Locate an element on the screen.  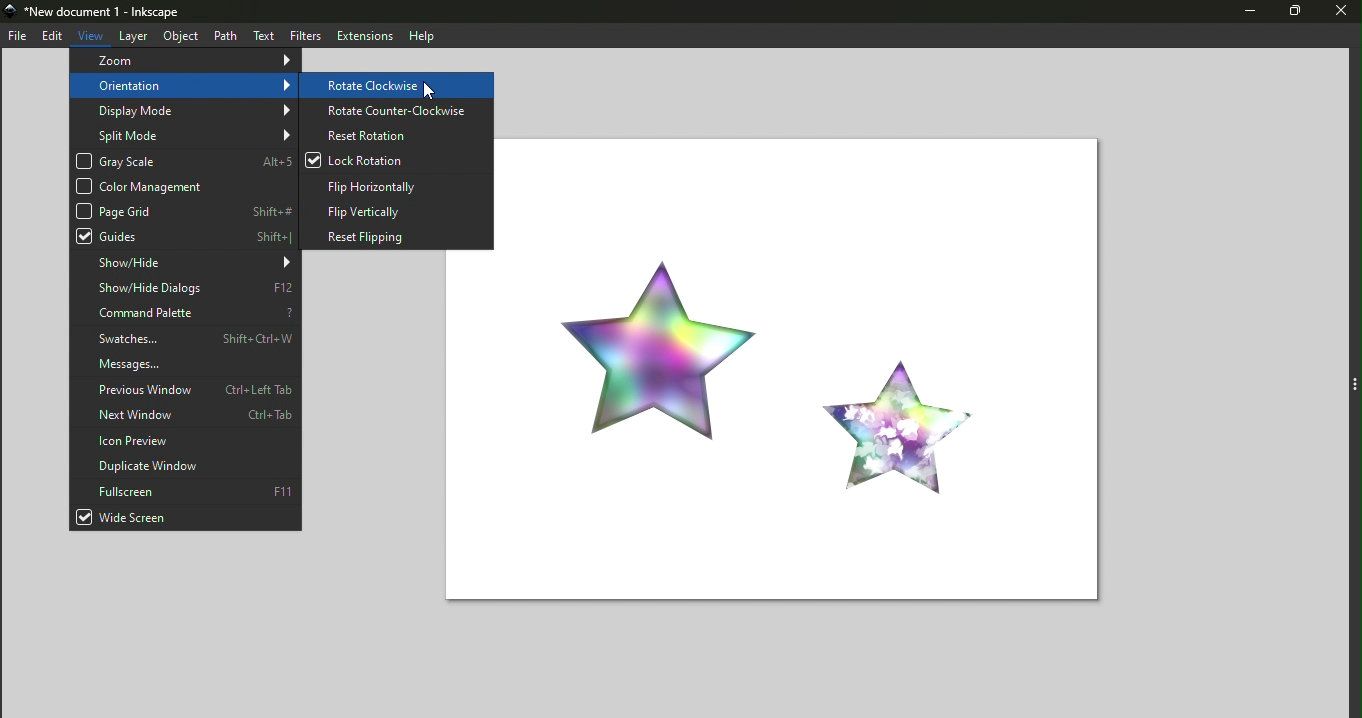
Guides is located at coordinates (184, 236).